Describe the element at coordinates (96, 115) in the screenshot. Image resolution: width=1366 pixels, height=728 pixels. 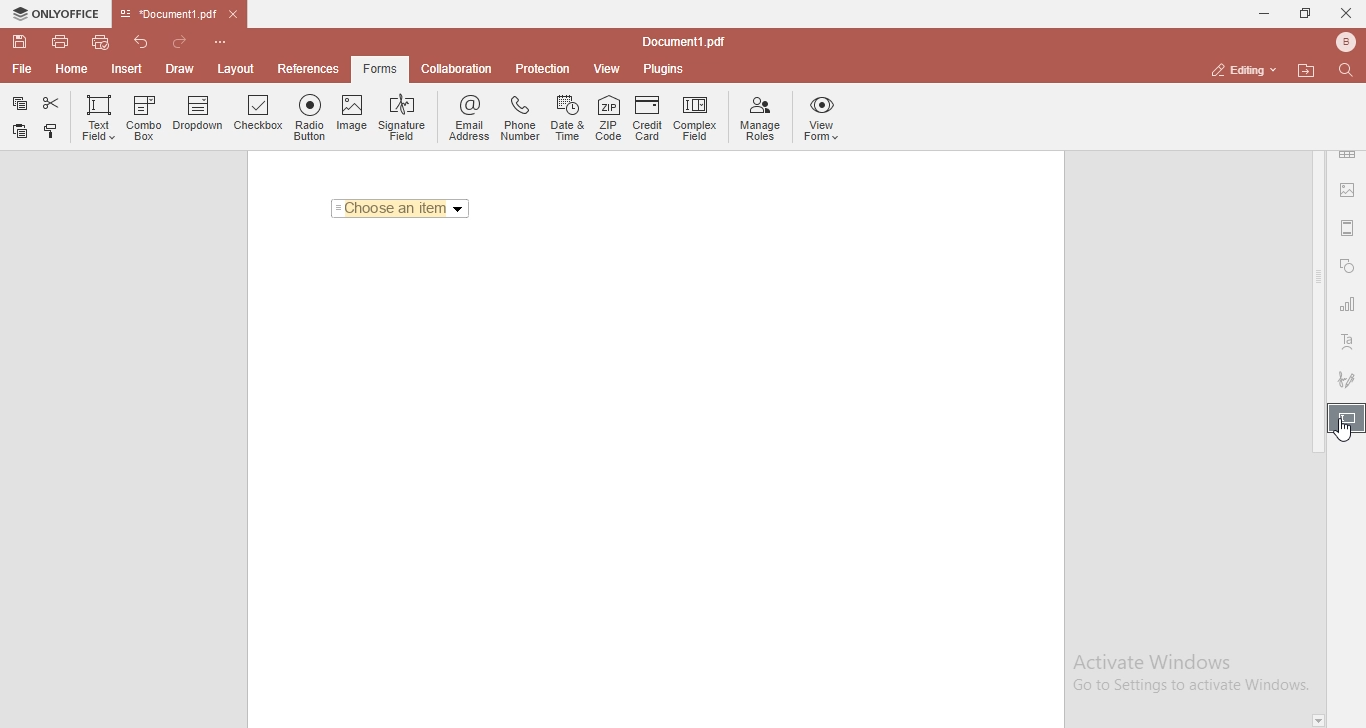
I see `text field` at that location.